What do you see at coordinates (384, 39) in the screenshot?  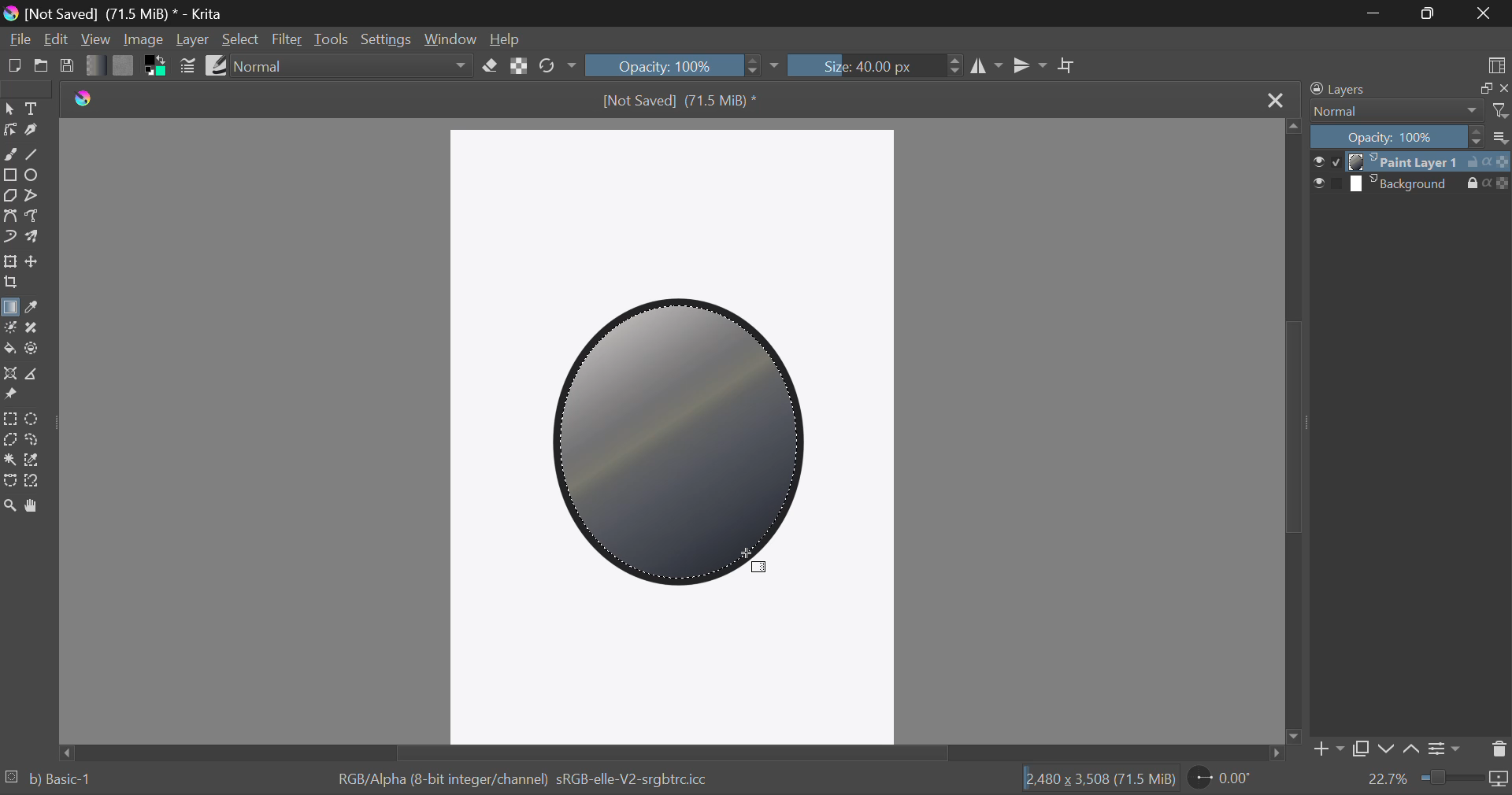 I see `Settings` at bounding box center [384, 39].